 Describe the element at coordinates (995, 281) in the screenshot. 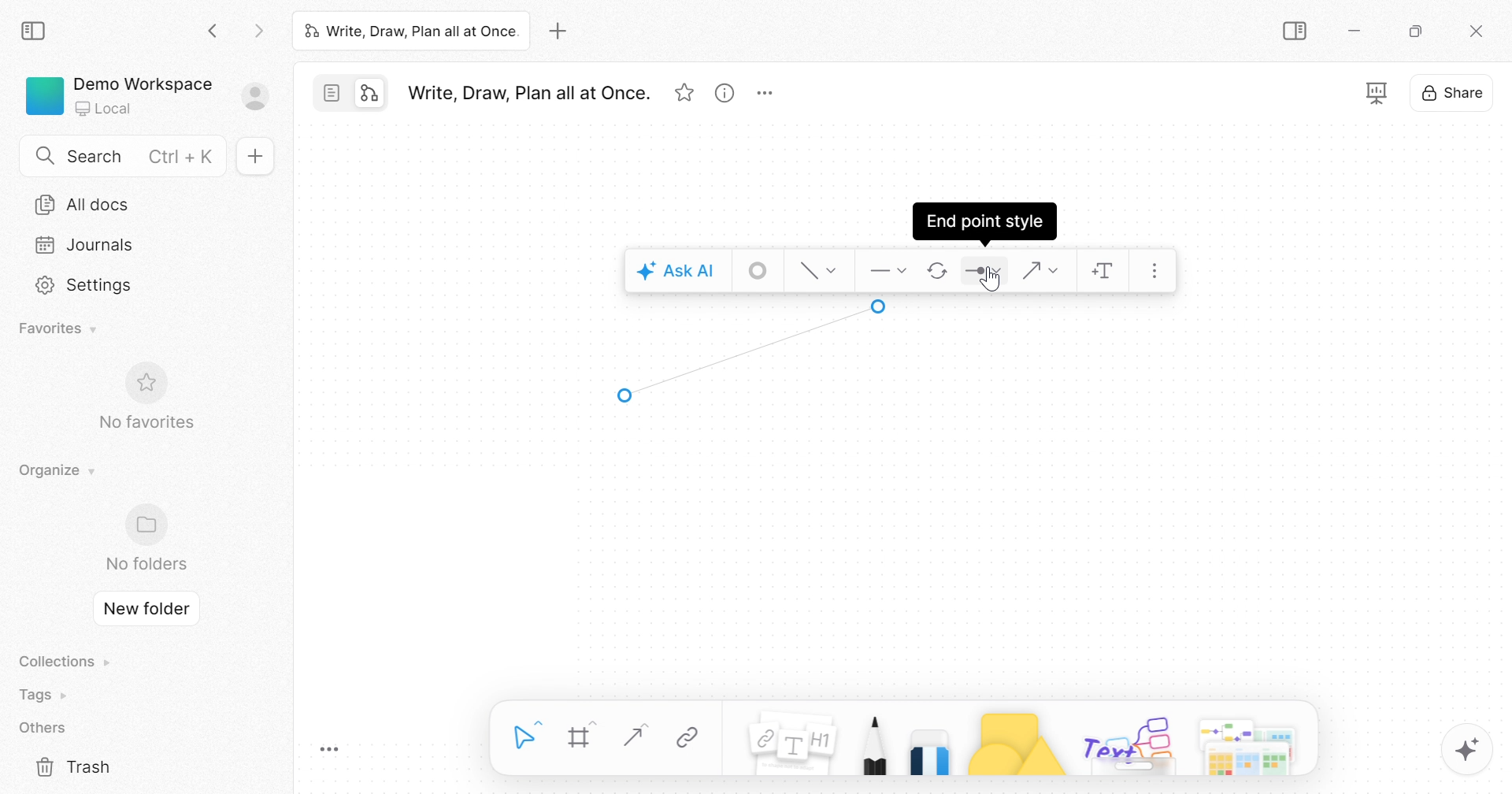

I see `cursor` at that location.